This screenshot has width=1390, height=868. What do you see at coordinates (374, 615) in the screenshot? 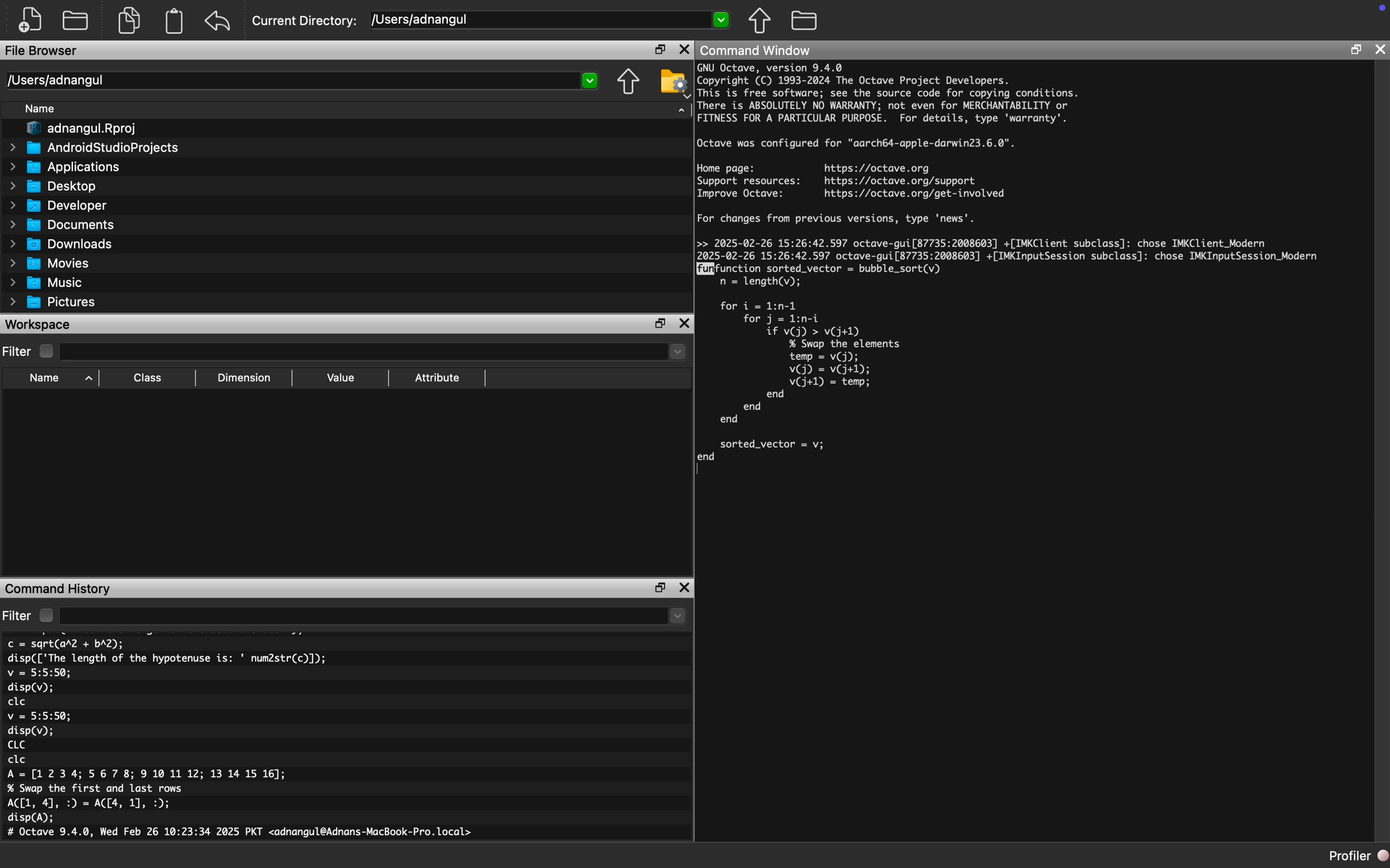
I see `dropdown` at bounding box center [374, 615].